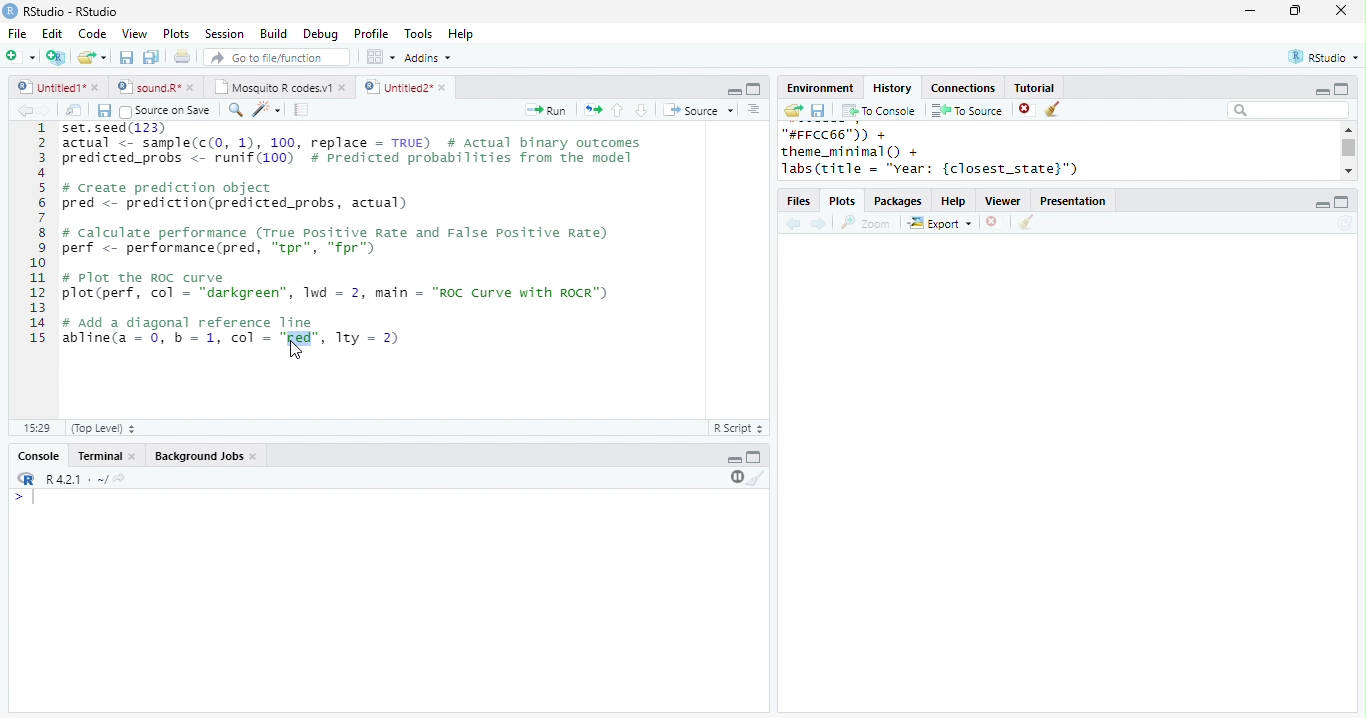 The height and width of the screenshot is (718, 1366). What do you see at coordinates (616, 110) in the screenshot?
I see `up` at bounding box center [616, 110].